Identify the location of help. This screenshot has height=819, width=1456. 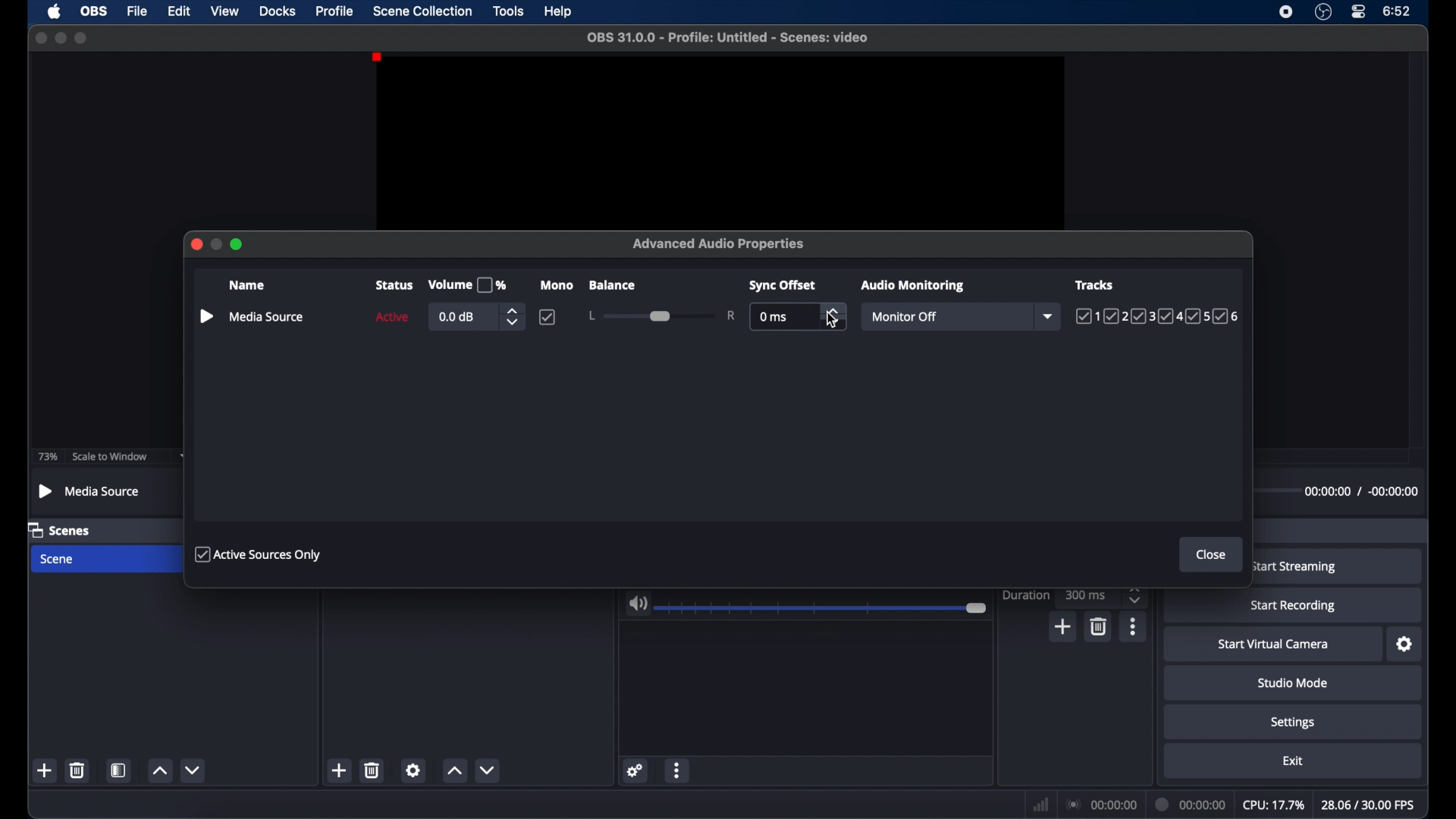
(559, 11).